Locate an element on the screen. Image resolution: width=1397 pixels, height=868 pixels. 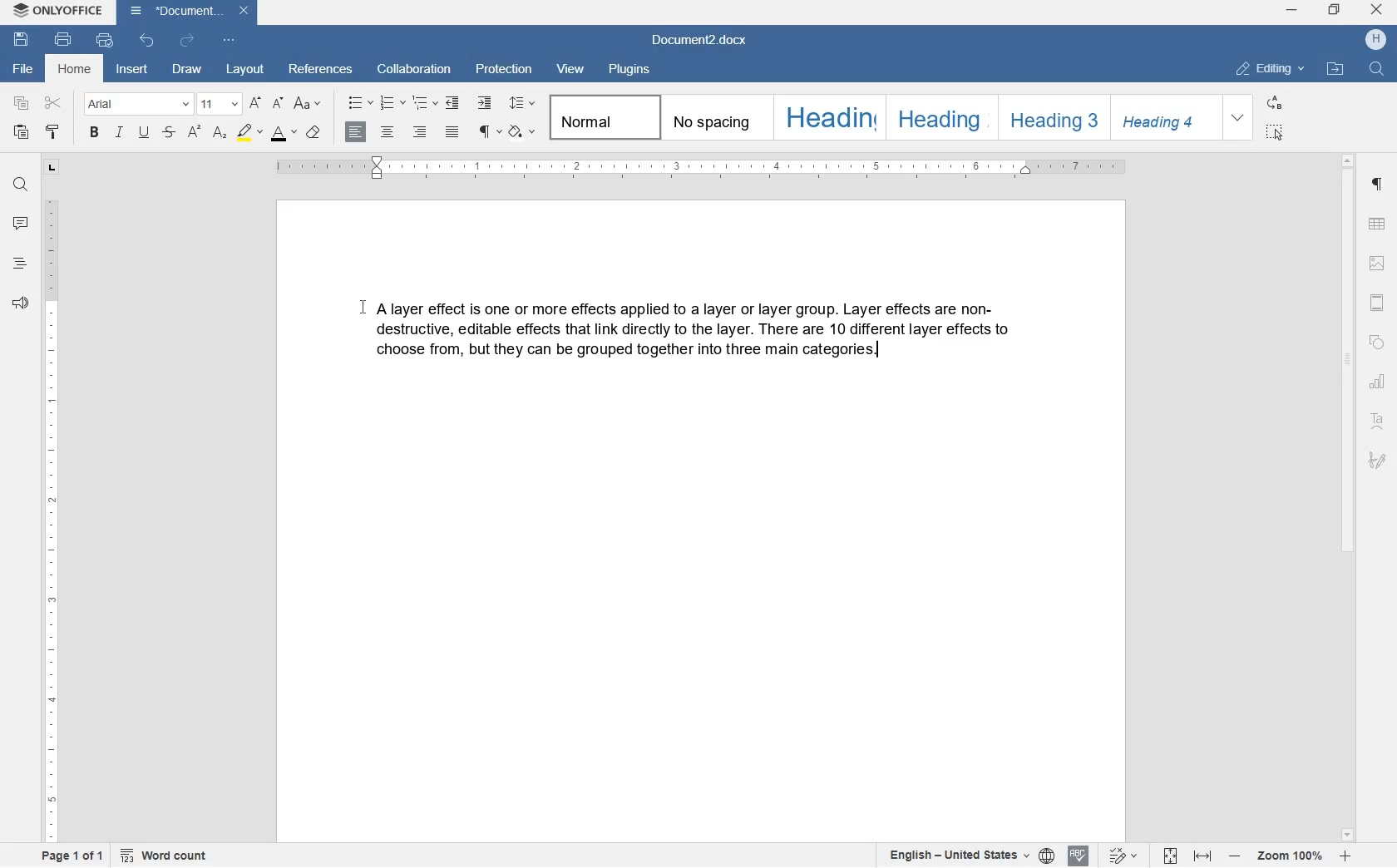
bold is located at coordinates (96, 133).